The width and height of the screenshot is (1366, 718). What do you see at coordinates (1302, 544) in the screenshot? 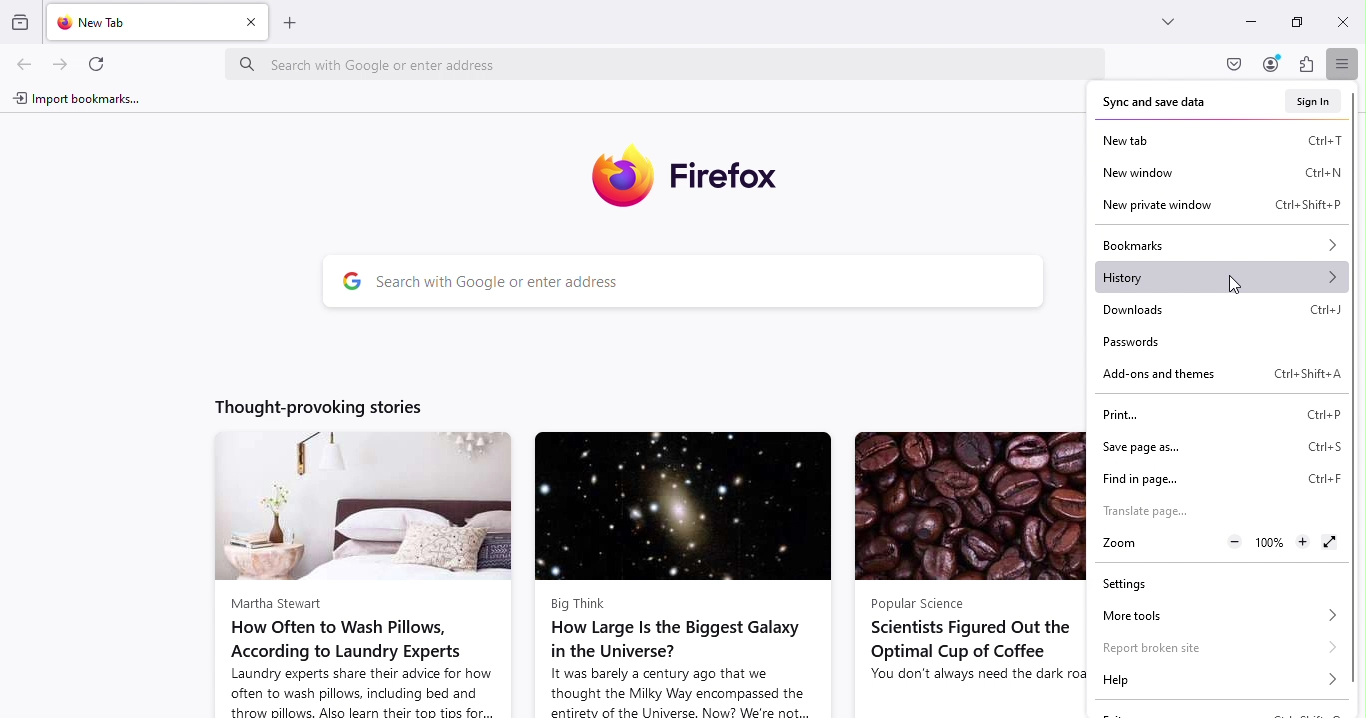
I see `Zoom in` at bounding box center [1302, 544].